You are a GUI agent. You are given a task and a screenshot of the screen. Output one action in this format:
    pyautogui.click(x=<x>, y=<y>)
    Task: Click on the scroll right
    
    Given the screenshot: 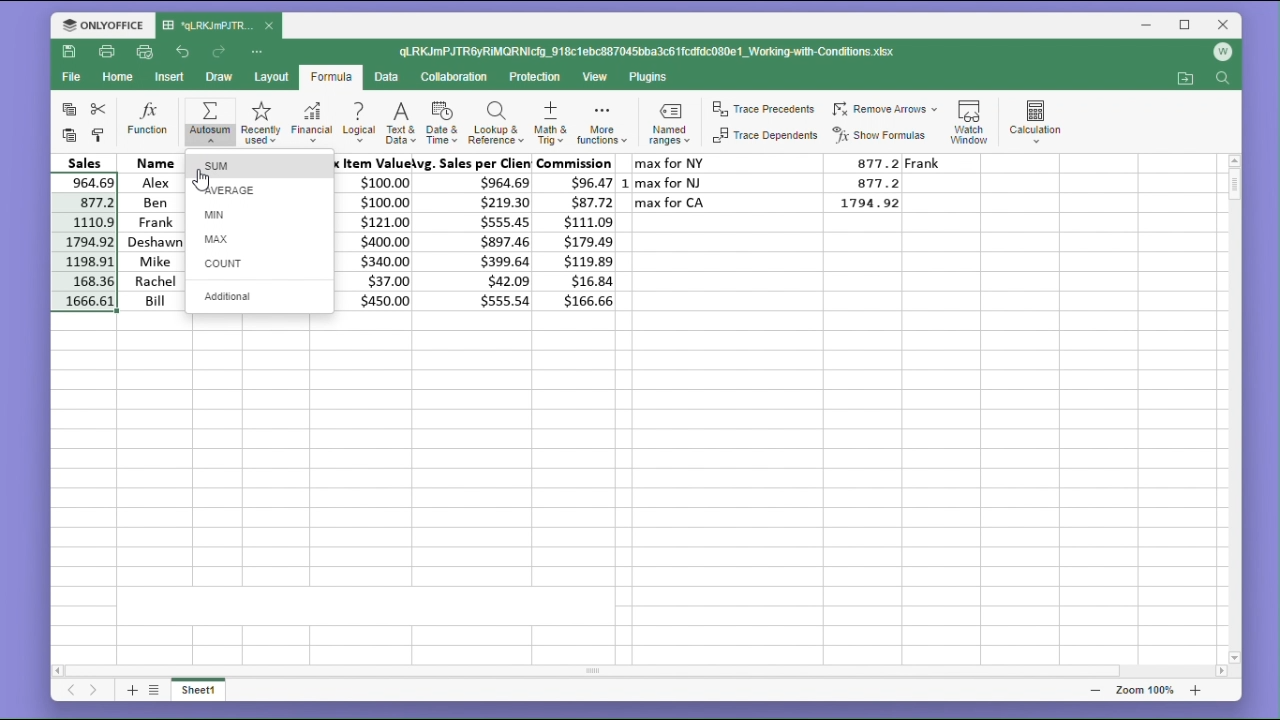 What is the action you would take?
    pyautogui.click(x=1220, y=672)
    